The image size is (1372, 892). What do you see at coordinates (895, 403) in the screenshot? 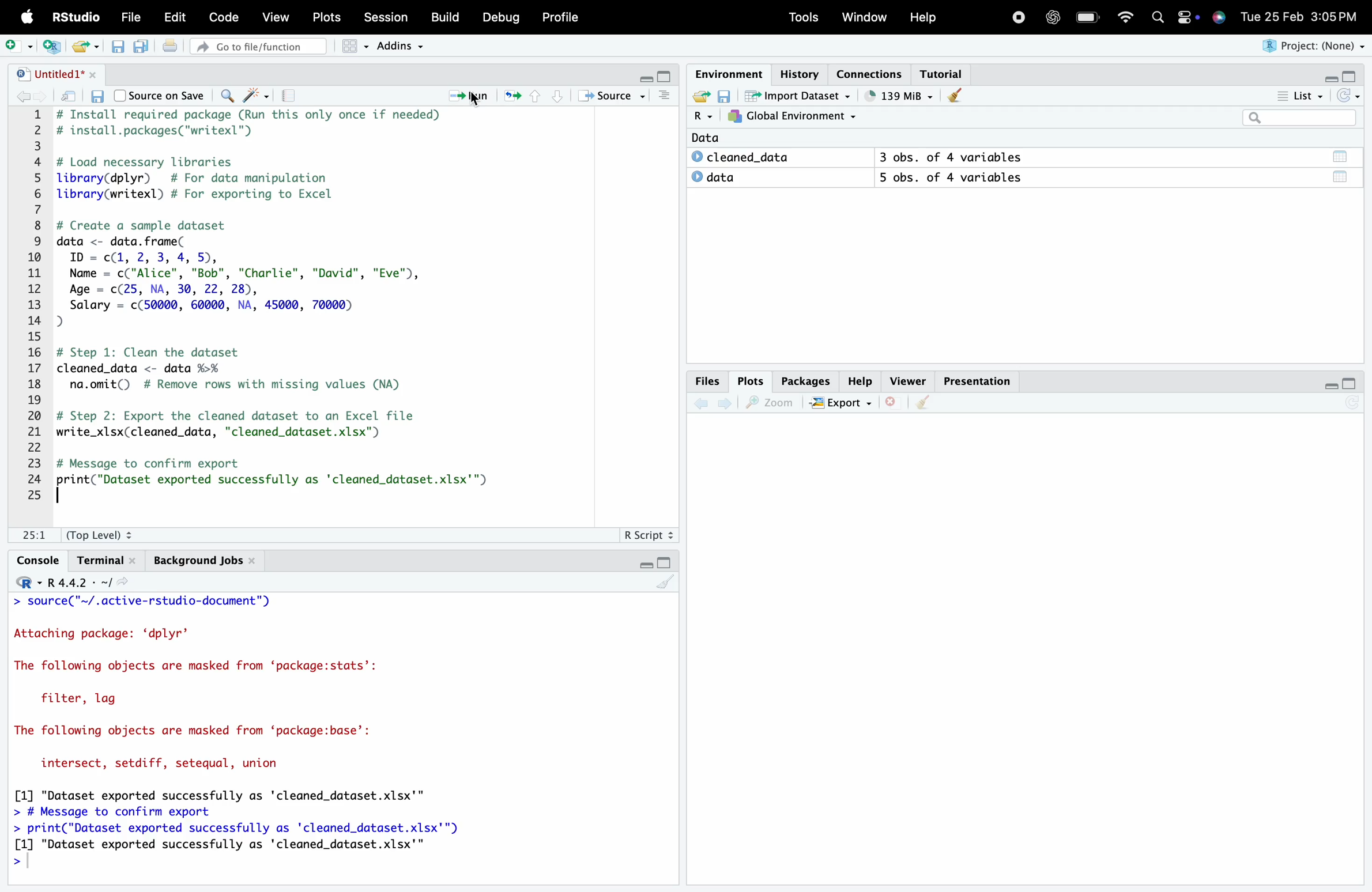
I see `Close` at bounding box center [895, 403].